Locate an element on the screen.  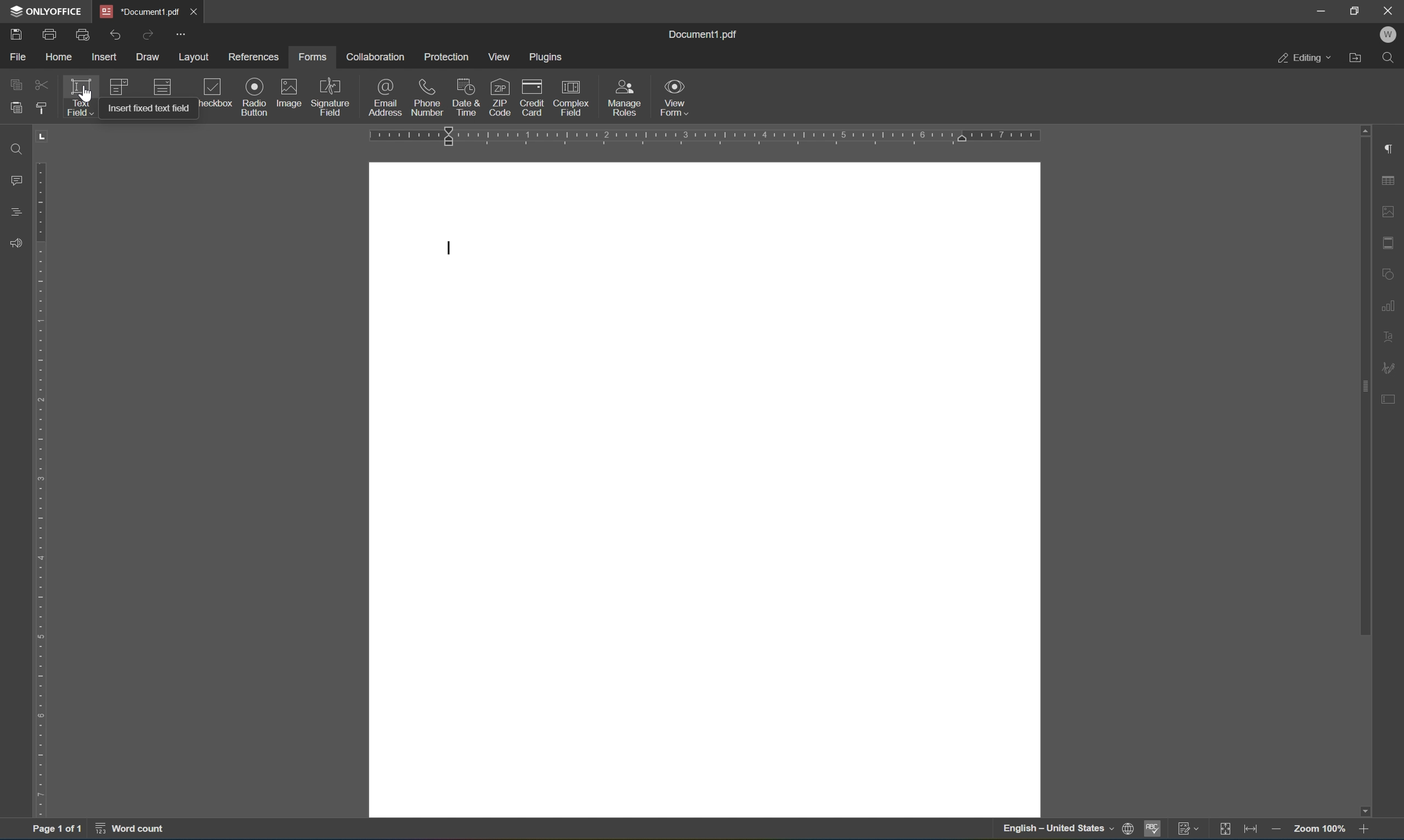
forms is located at coordinates (312, 57).